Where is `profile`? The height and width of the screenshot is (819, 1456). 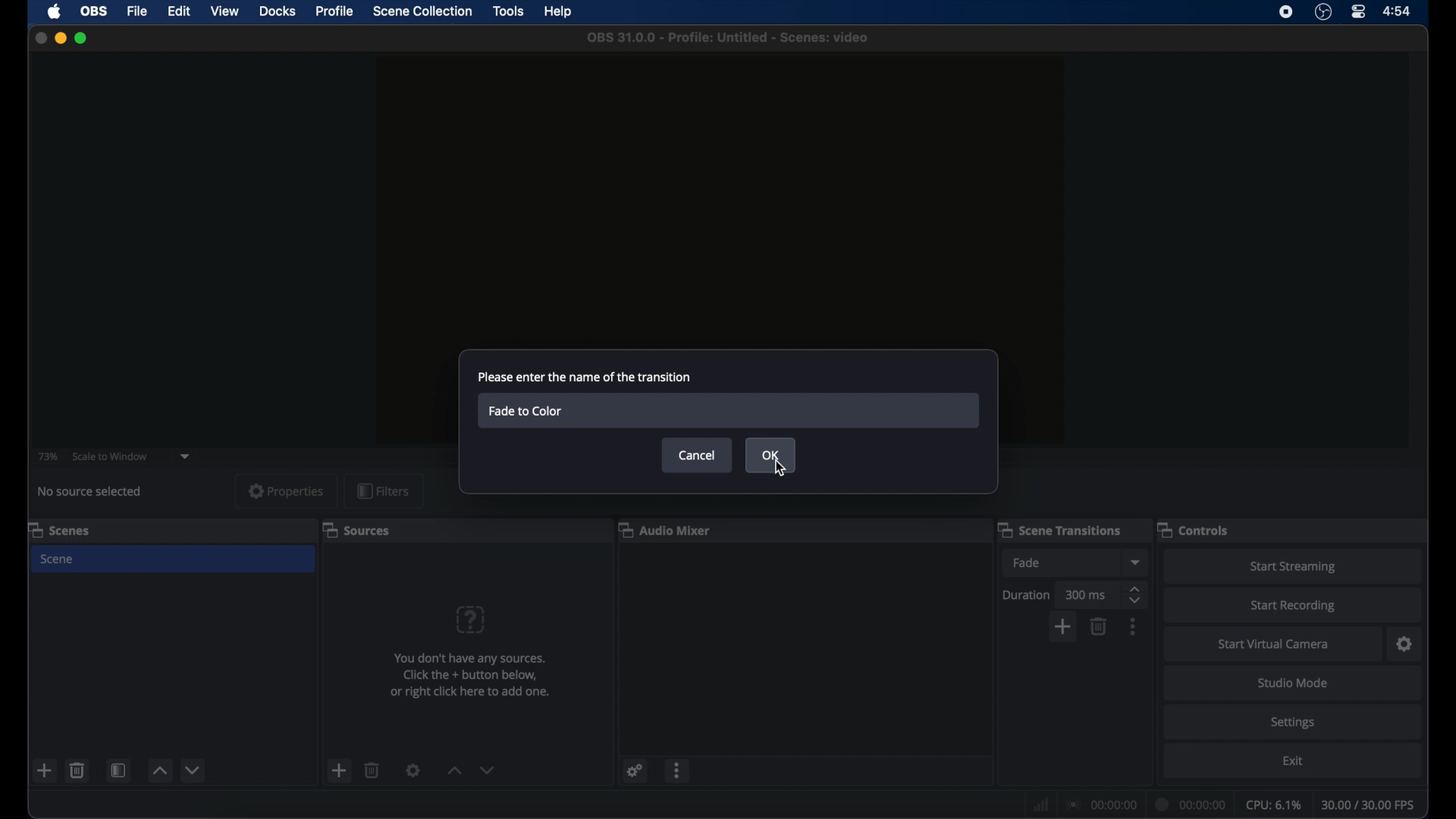
profile is located at coordinates (335, 12).